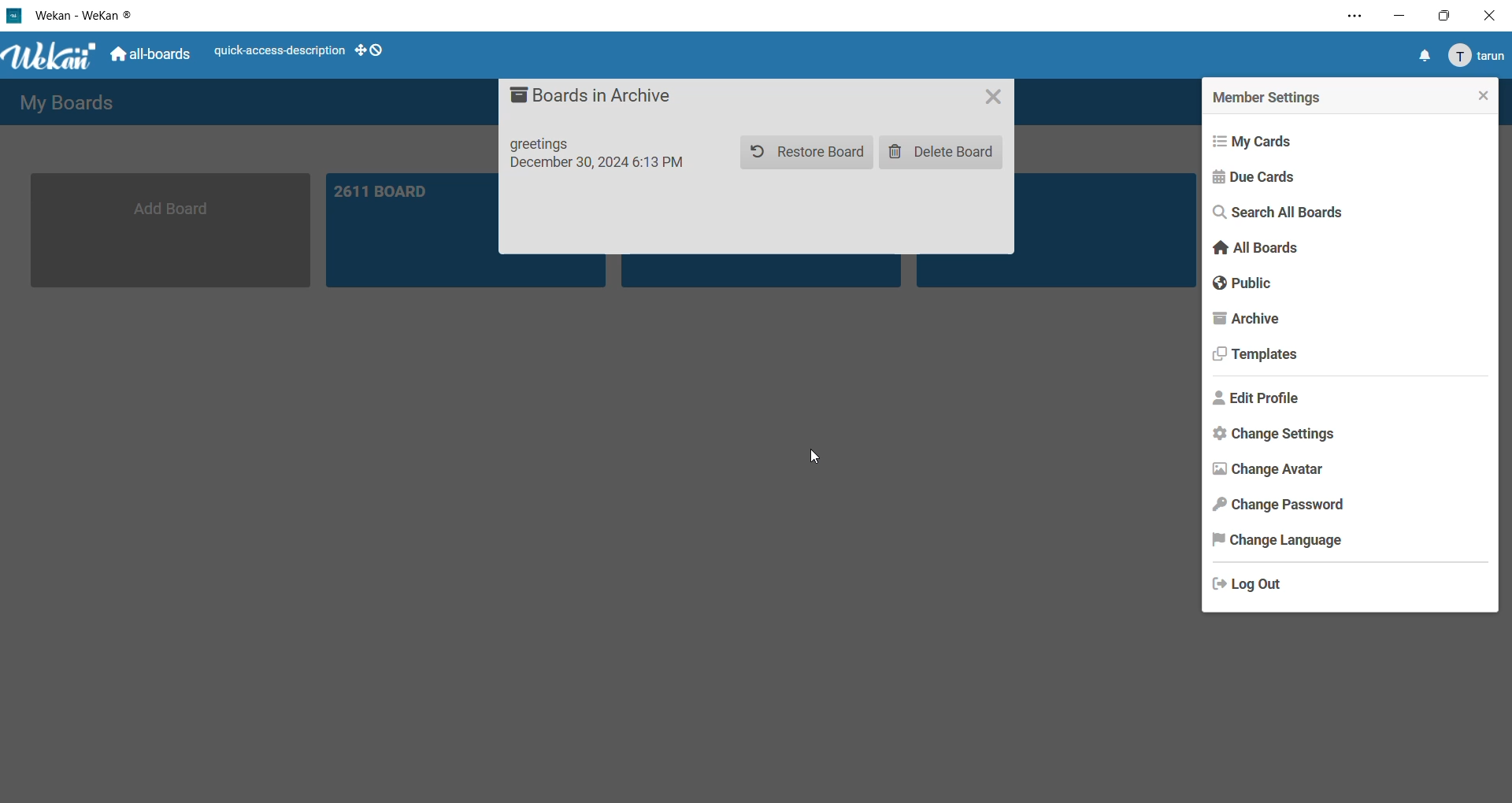 The image size is (1512, 803). Describe the element at coordinates (61, 103) in the screenshot. I see `my boards` at that location.